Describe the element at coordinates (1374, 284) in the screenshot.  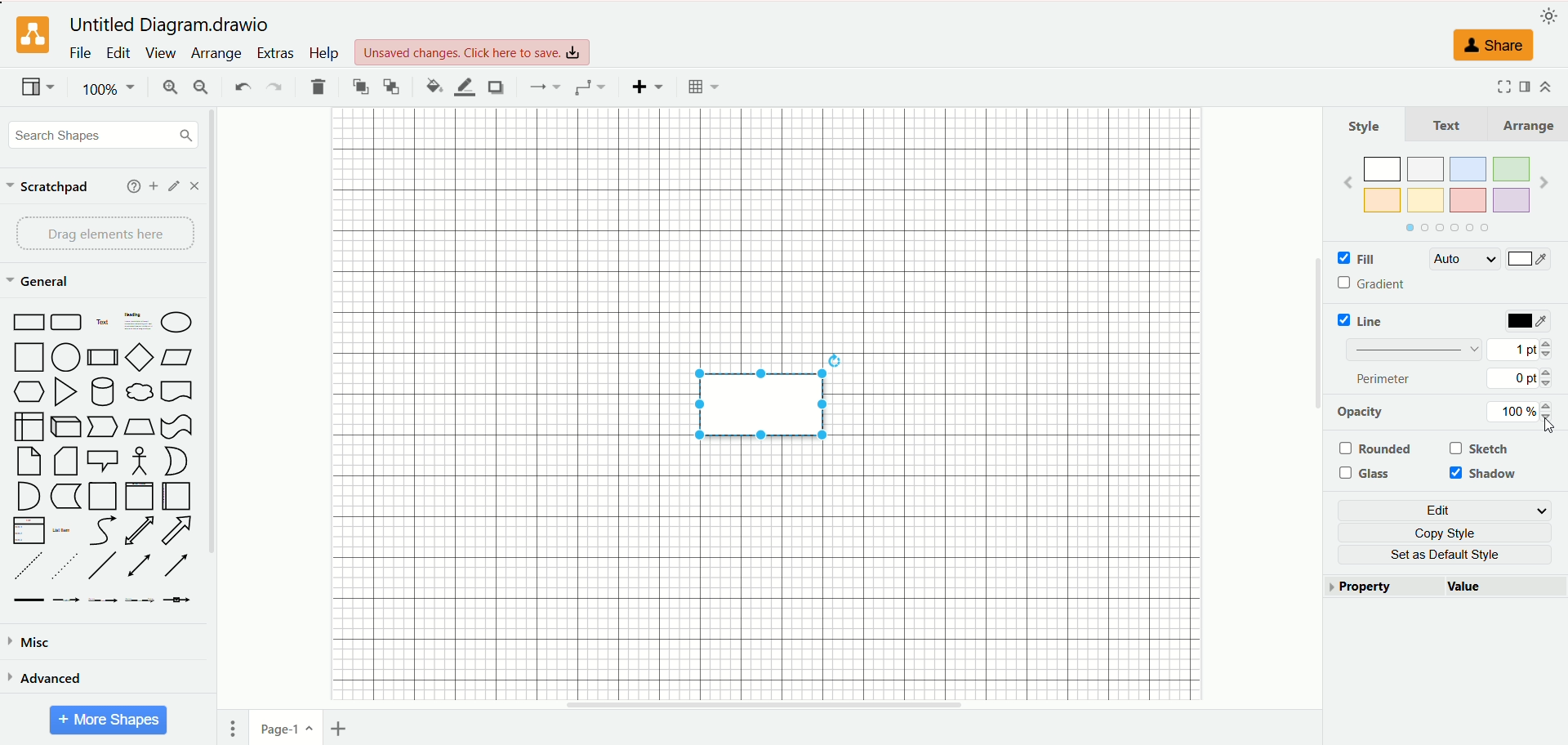
I see `gradient` at that location.